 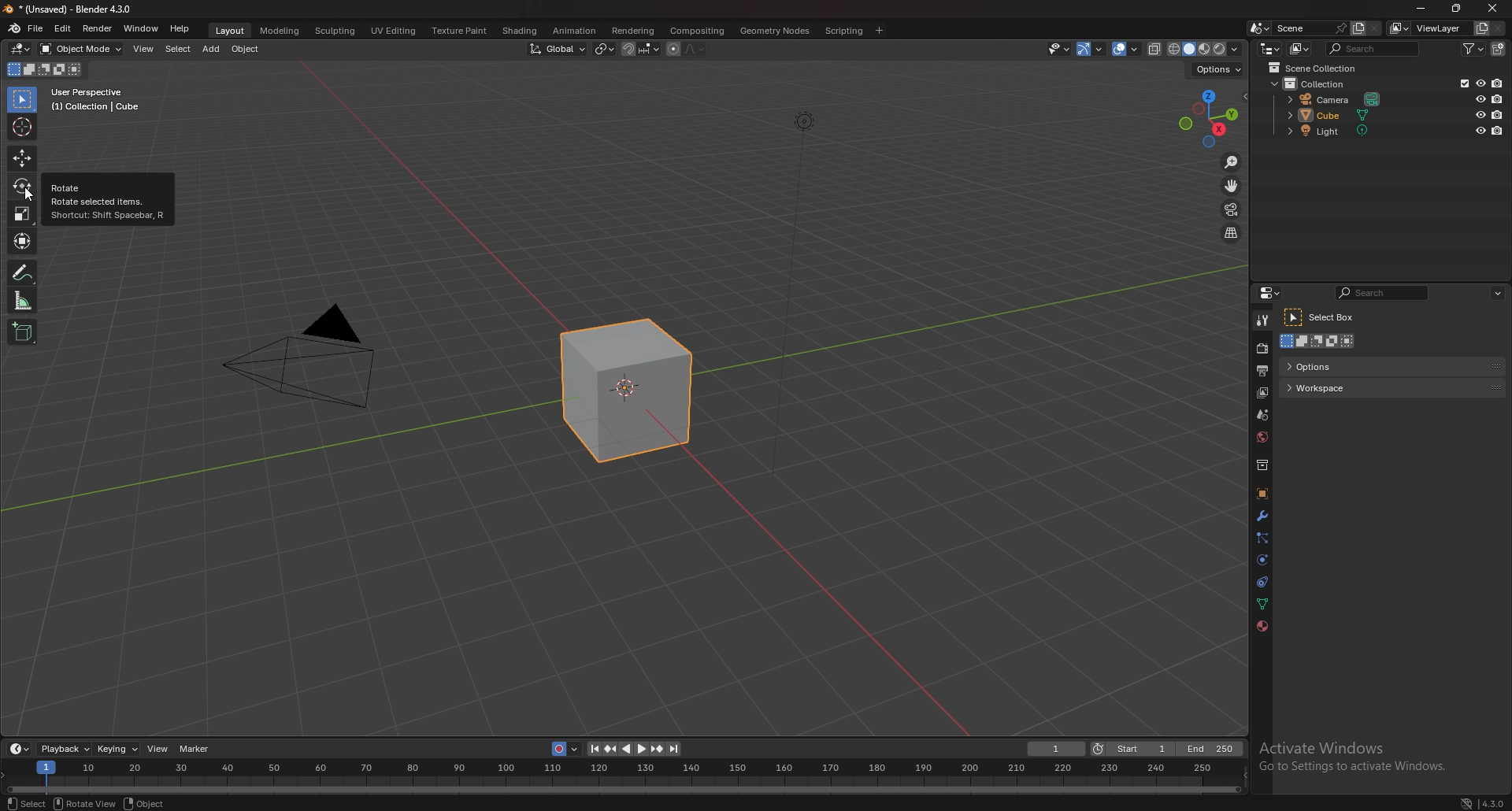 I want to click on editor type, so click(x=1269, y=49).